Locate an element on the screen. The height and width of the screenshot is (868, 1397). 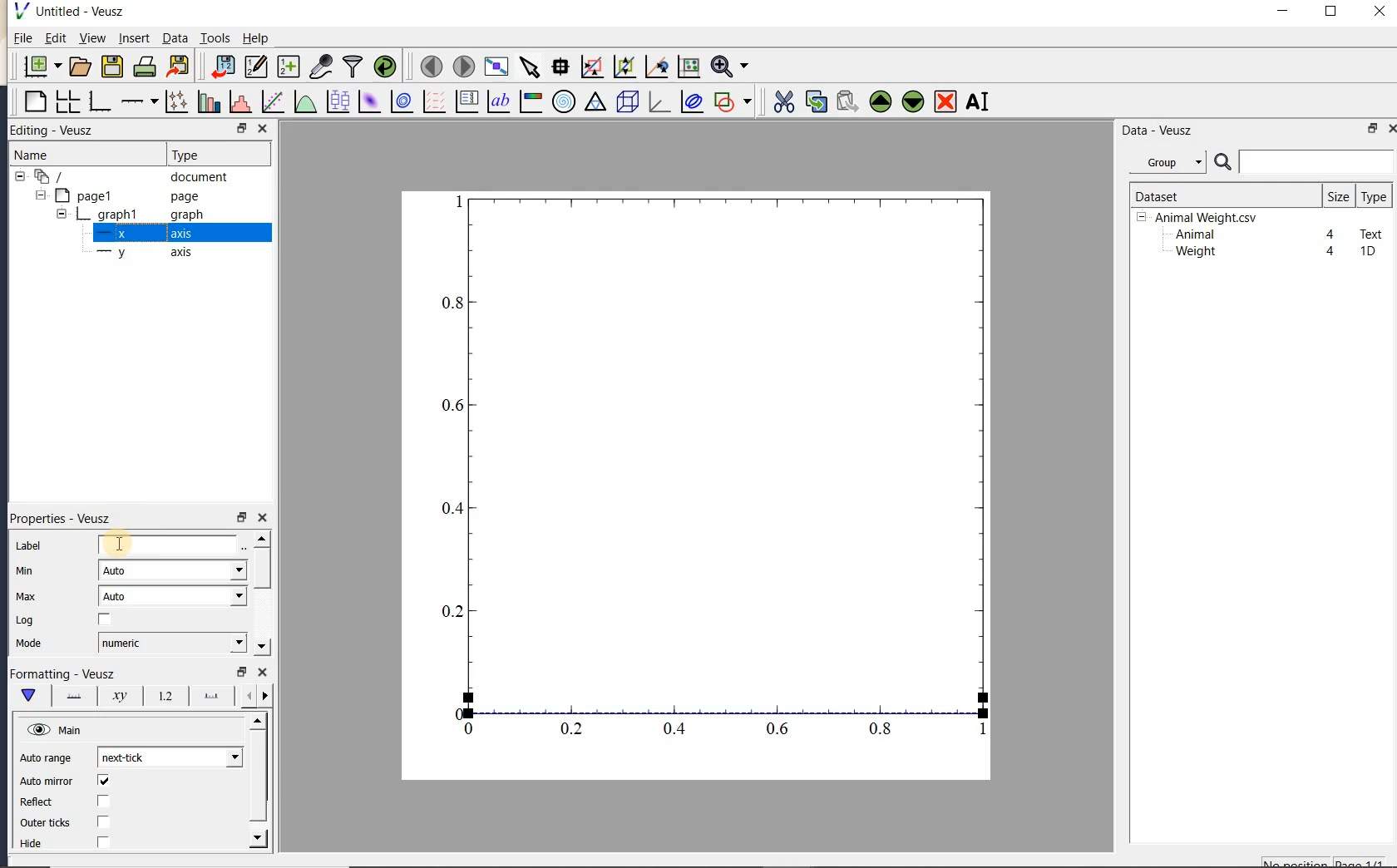
check/uncheck is located at coordinates (104, 821).